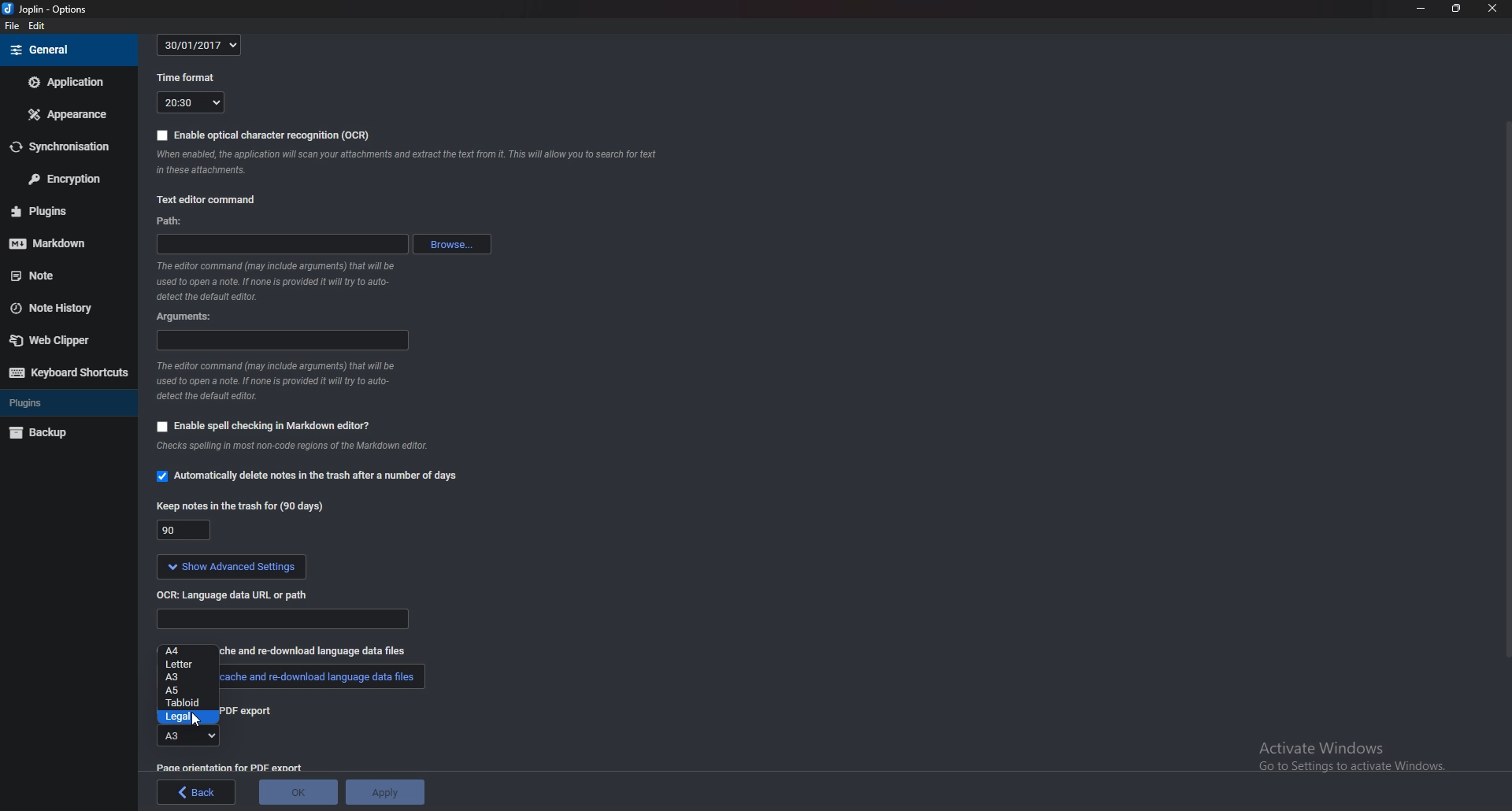 This screenshot has height=811, width=1512. I want to click on Note history, so click(58, 308).